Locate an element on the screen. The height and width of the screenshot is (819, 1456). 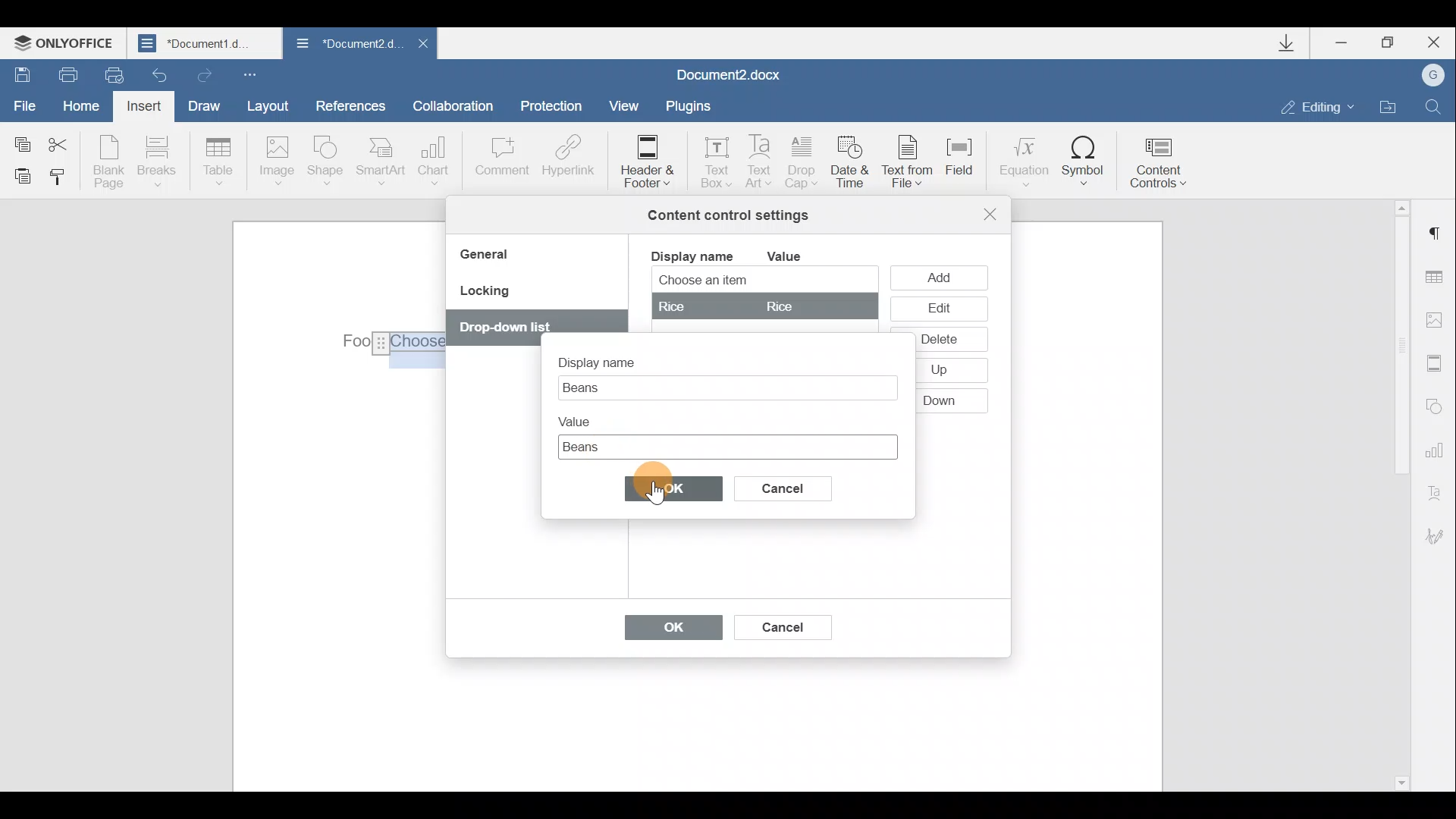
Field is located at coordinates (966, 166).